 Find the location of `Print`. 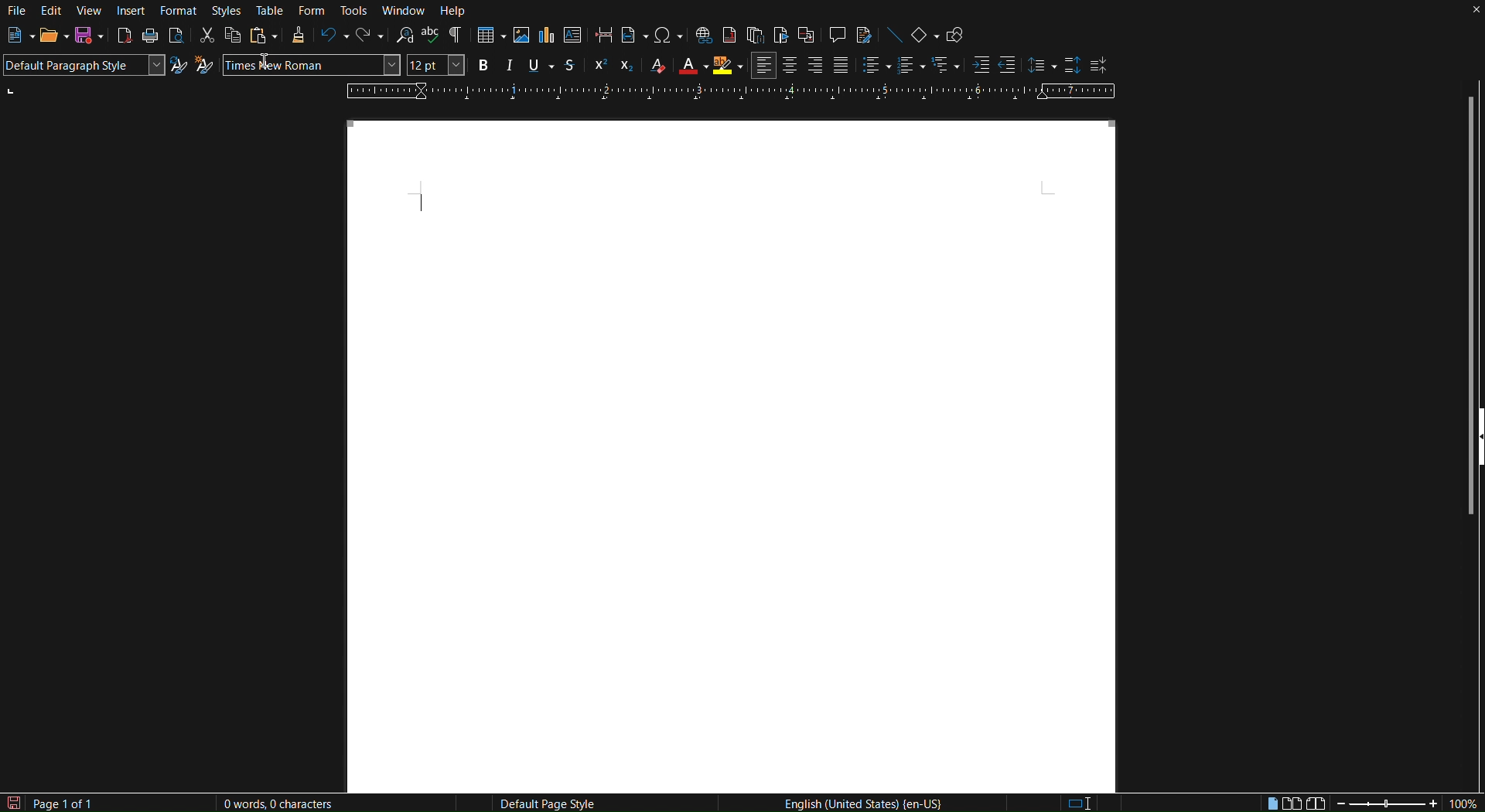

Print is located at coordinates (151, 38).